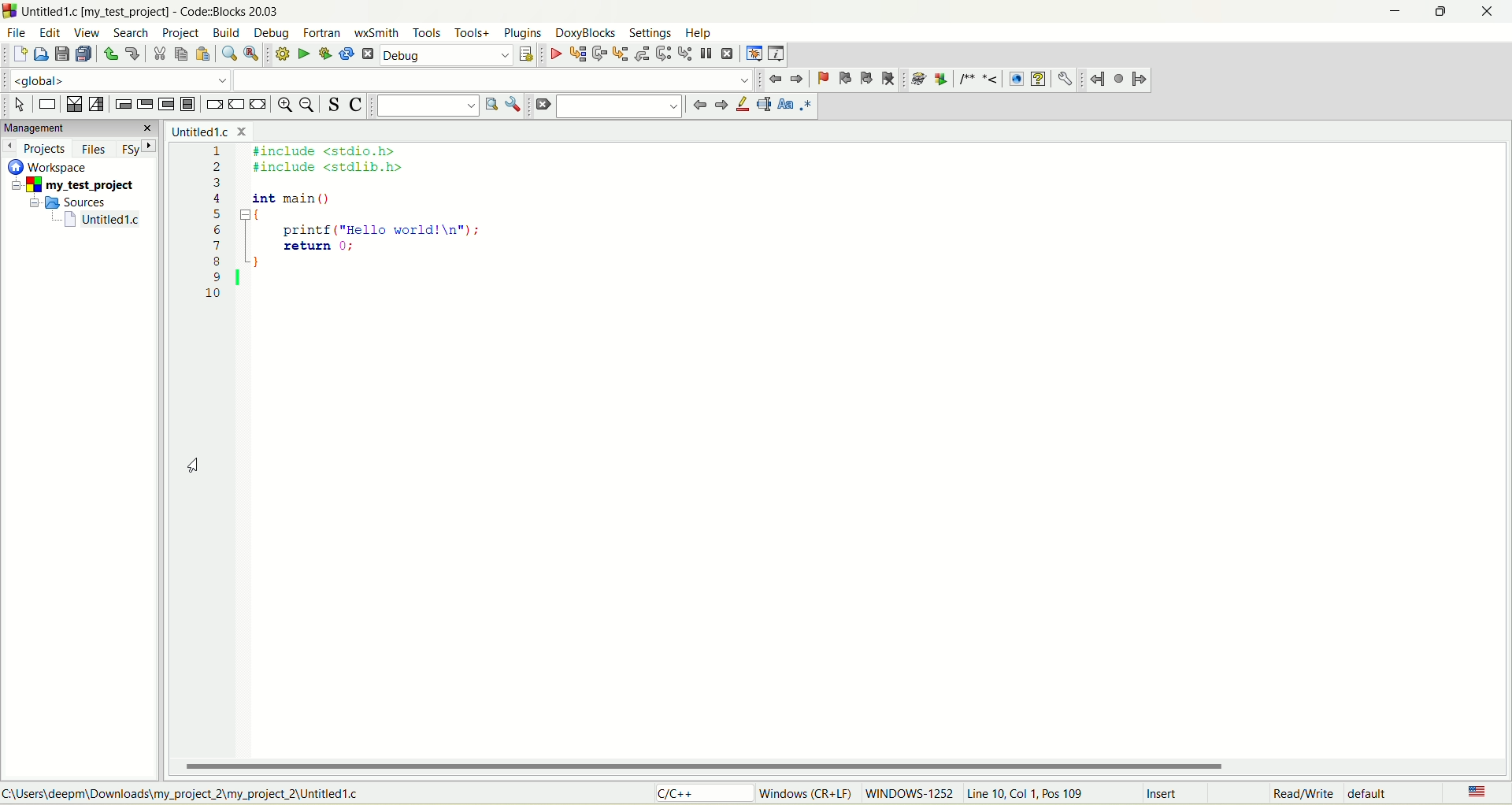 The height and width of the screenshot is (805, 1512). Describe the element at coordinates (50, 168) in the screenshot. I see `workspaces` at that location.